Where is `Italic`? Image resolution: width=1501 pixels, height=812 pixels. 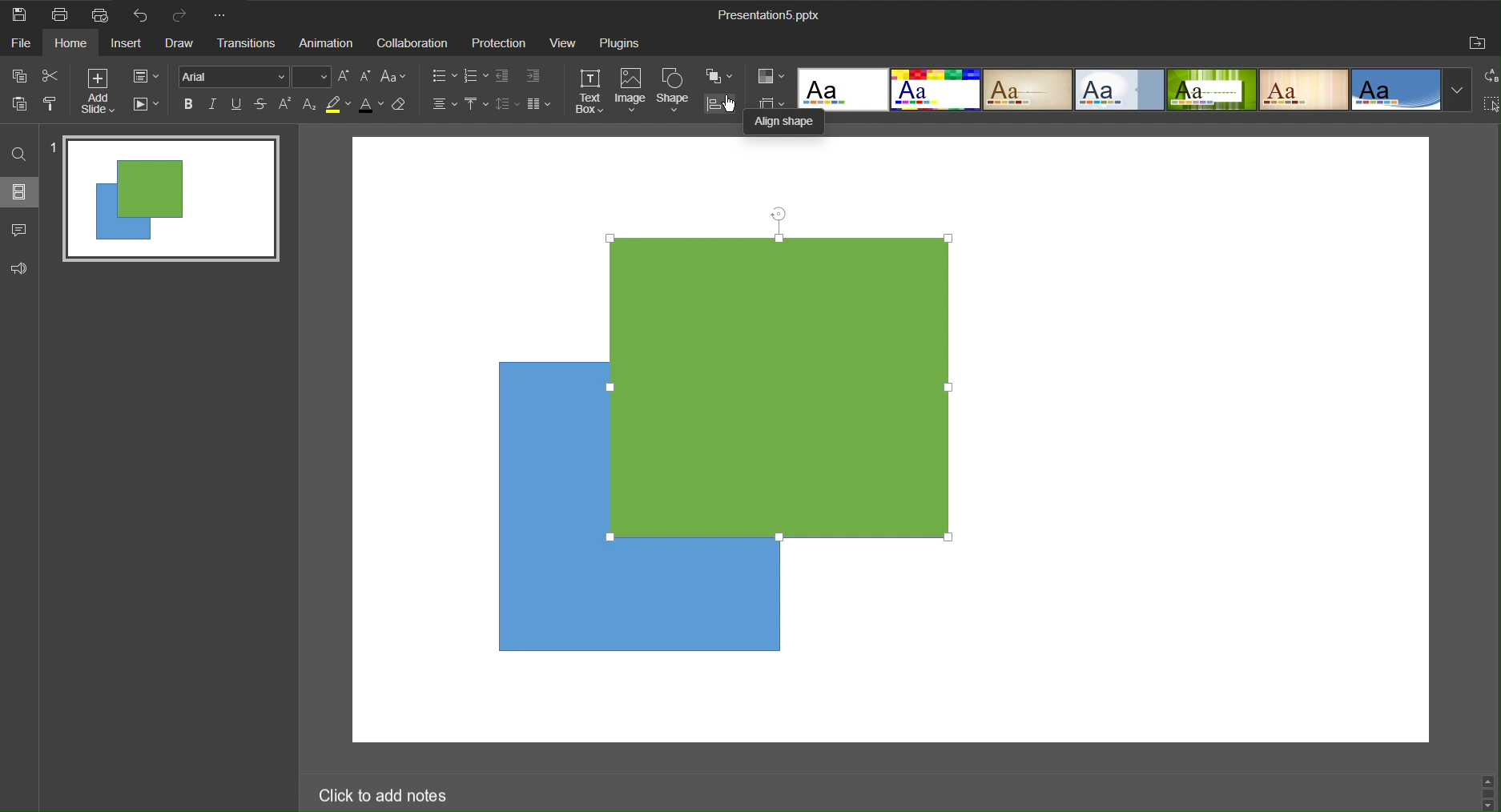
Italic is located at coordinates (213, 104).